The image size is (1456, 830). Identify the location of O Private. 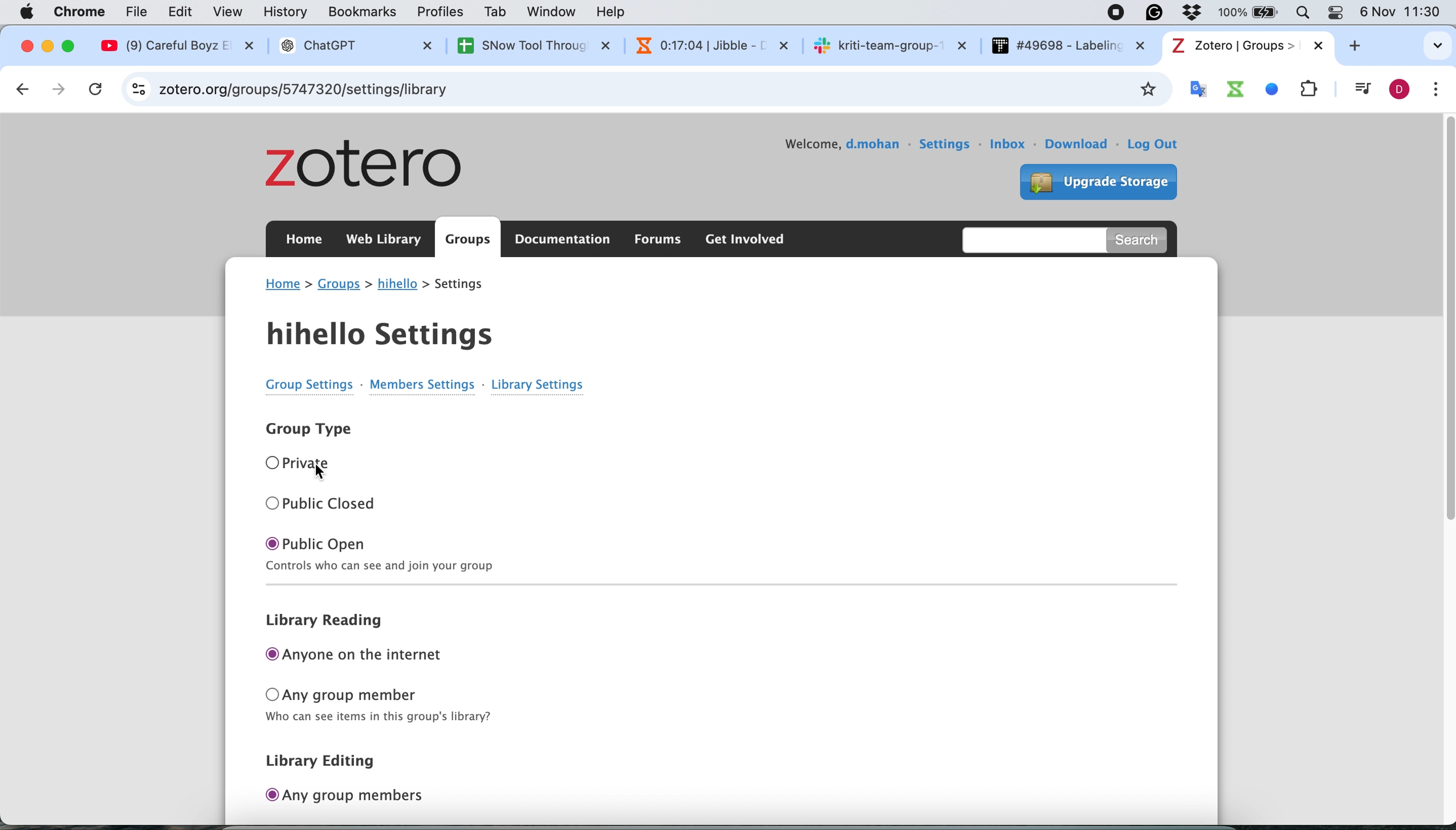
(303, 462).